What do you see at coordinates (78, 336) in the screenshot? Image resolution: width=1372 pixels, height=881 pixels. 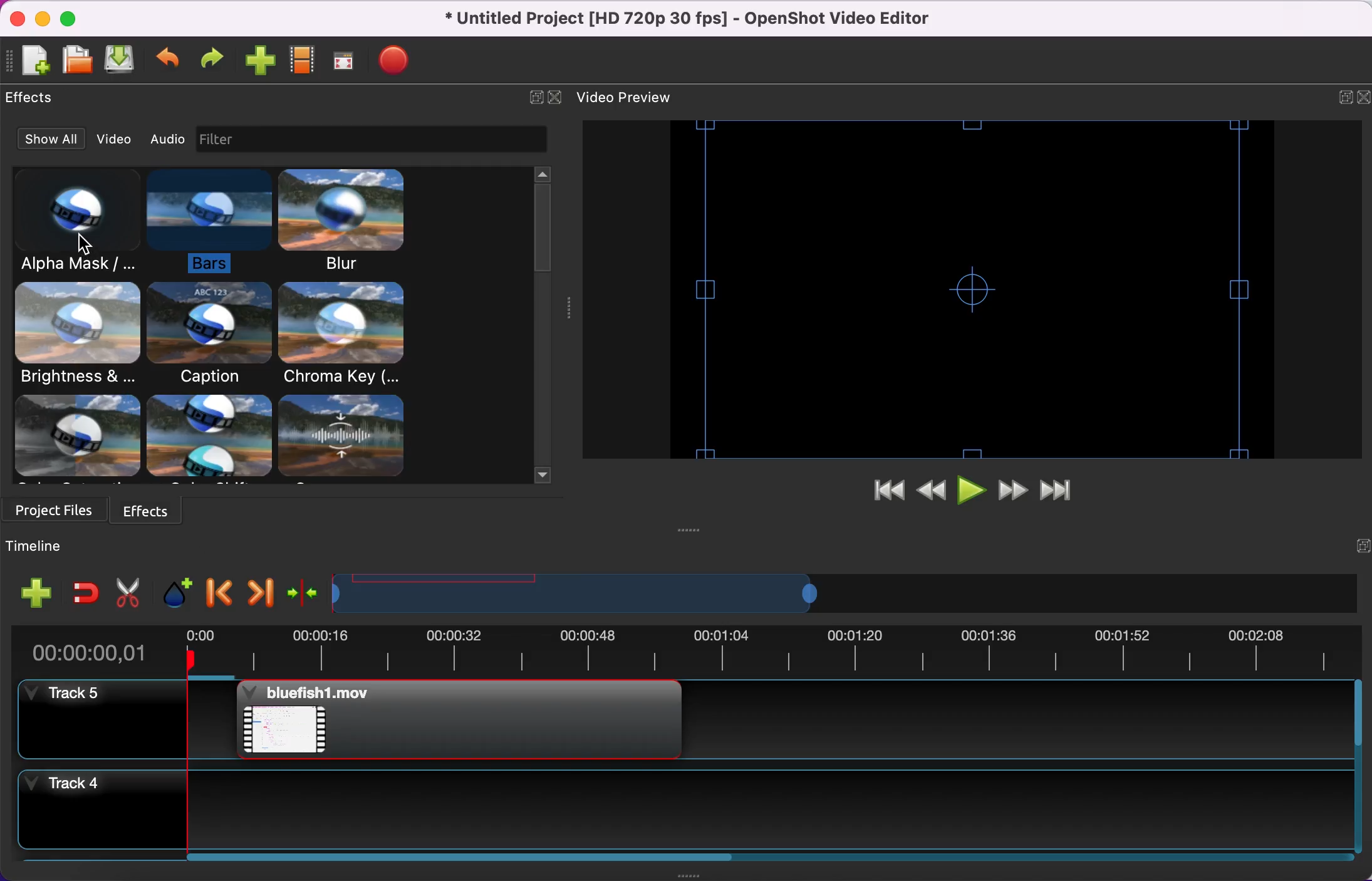 I see `brightness` at bounding box center [78, 336].